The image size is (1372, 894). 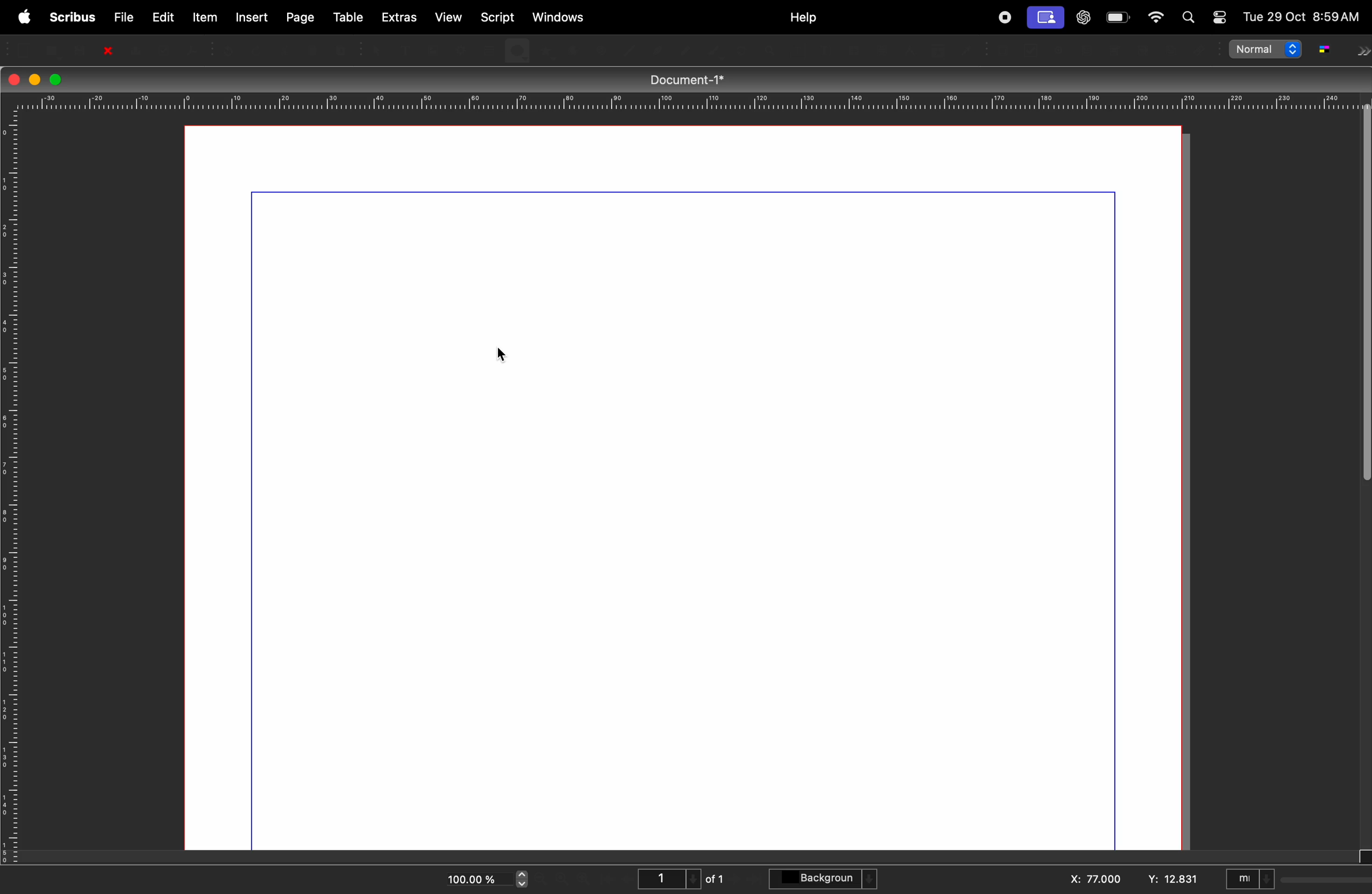 What do you see at coordinates (344, 48) in the screenshot?
I see `Paste` at bounding box center [344, 48].